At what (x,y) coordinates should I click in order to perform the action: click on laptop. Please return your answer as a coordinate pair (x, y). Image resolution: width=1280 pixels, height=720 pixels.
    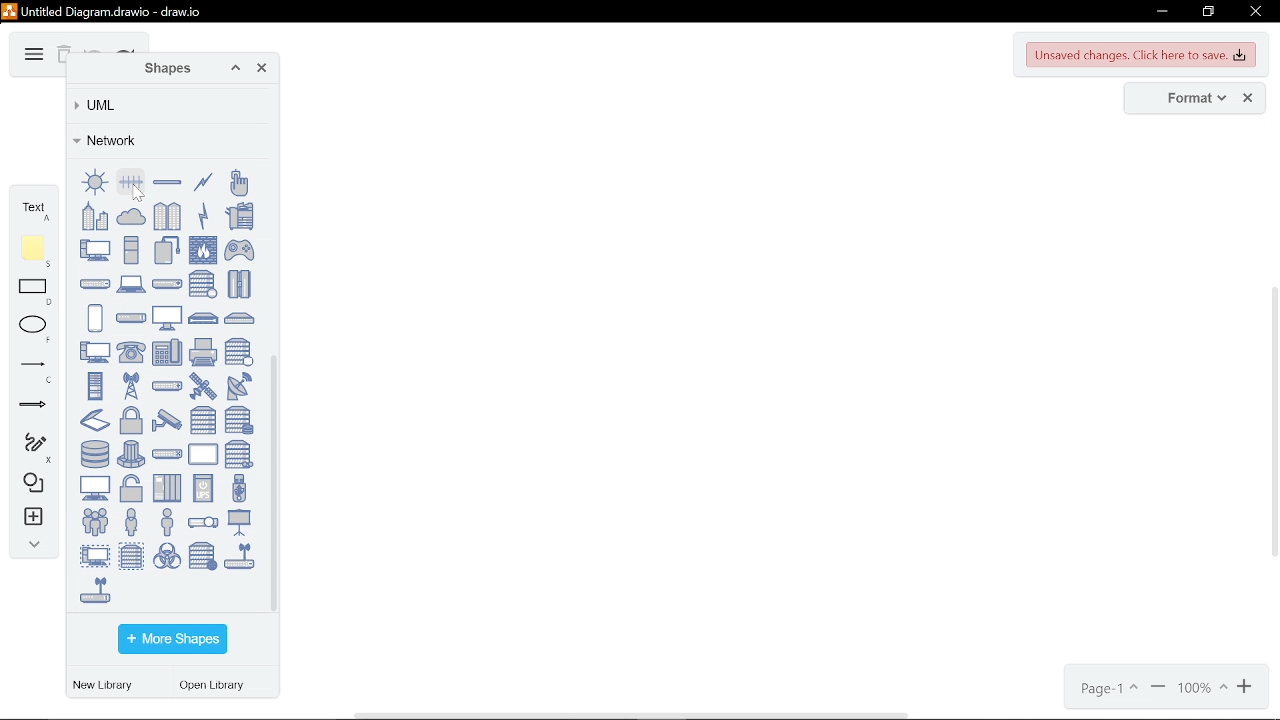
    Looking at the image, I should click on (131, 284).